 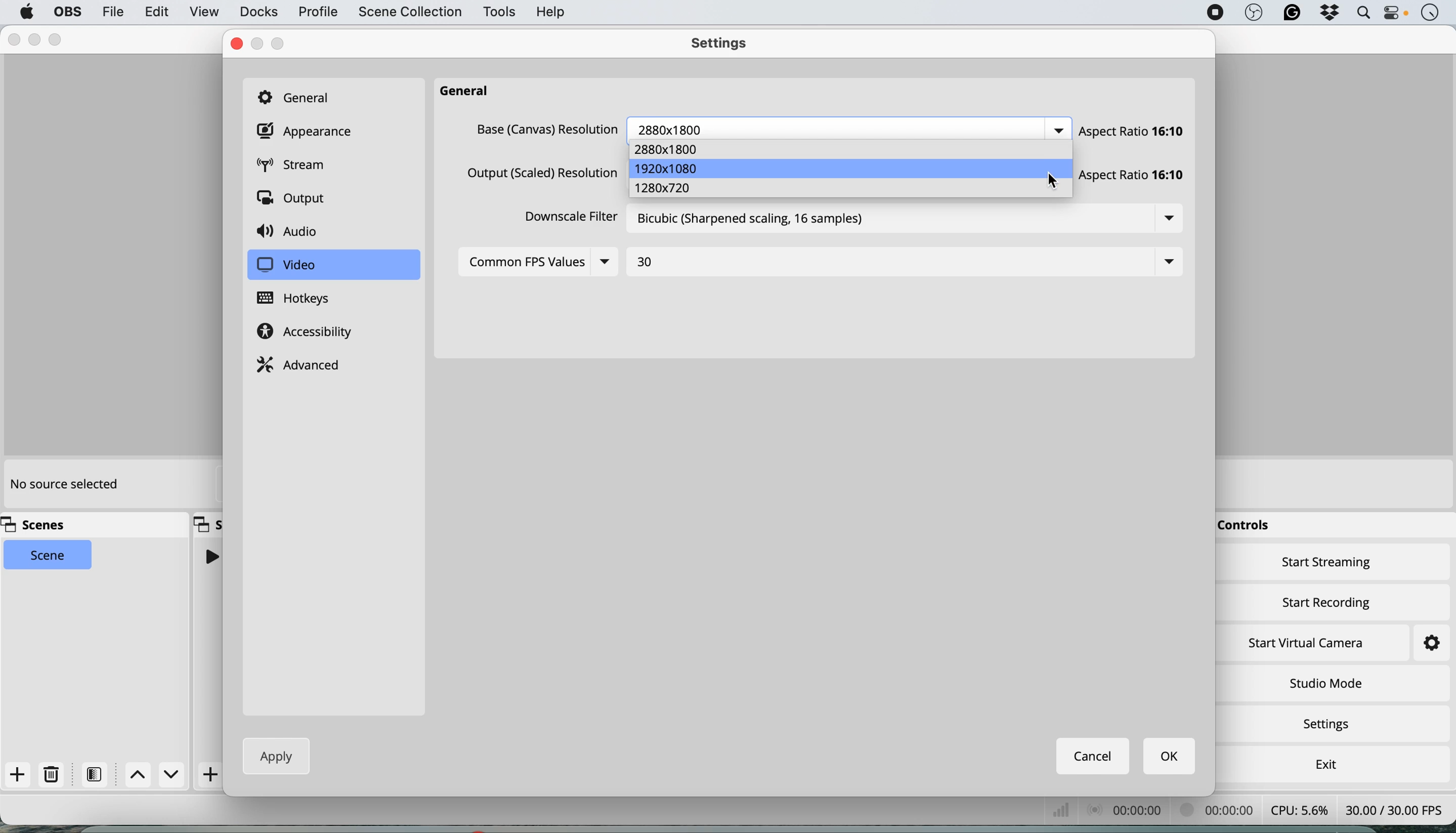 What do you see at coordinates (208, 523) in the screenshot?
I see `Copy ` at bounding box center [208, 523].